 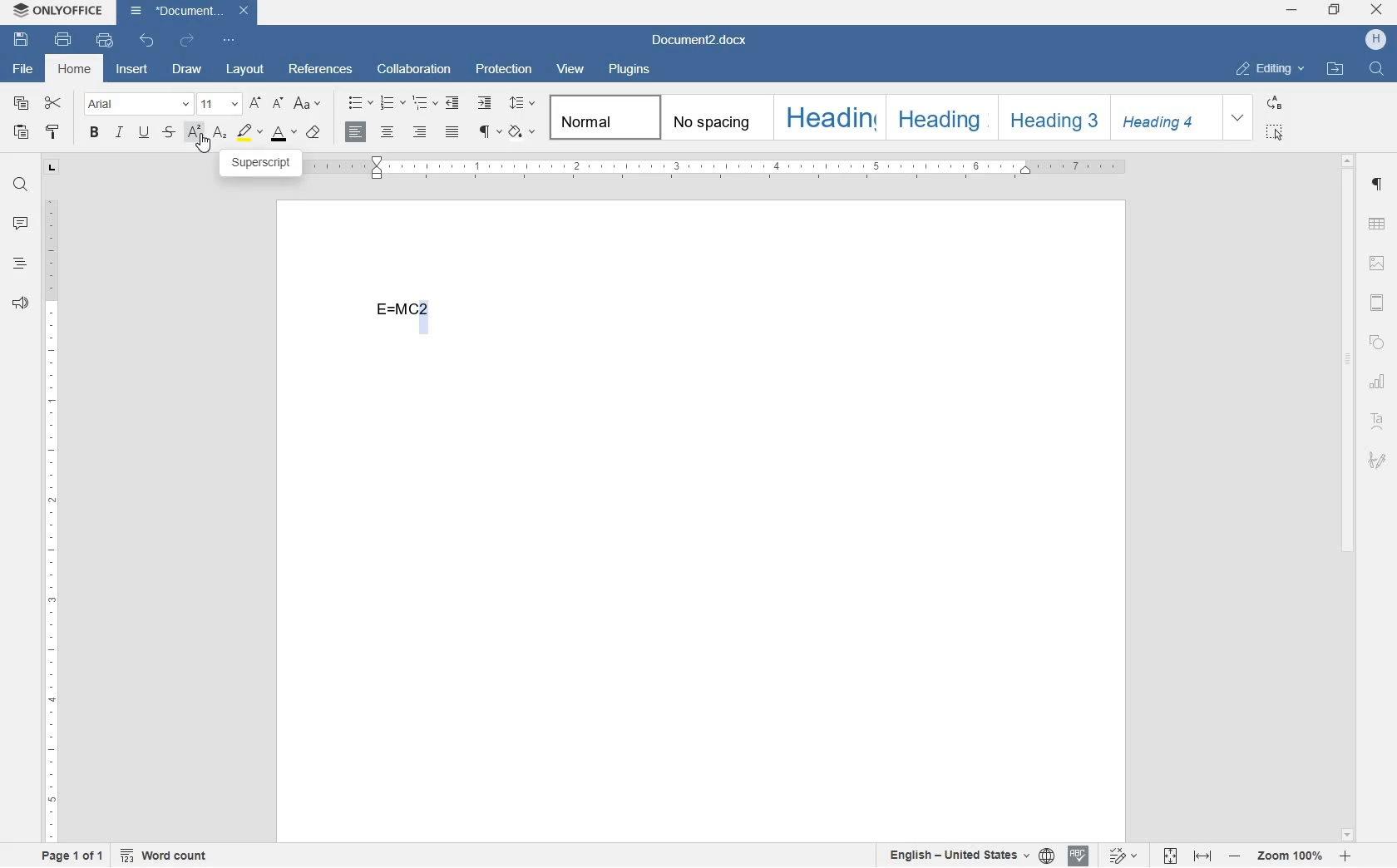 What do you see at coordinates (186, 72) in the screenshot?
I see `draw` at bounding box center [186, 72].